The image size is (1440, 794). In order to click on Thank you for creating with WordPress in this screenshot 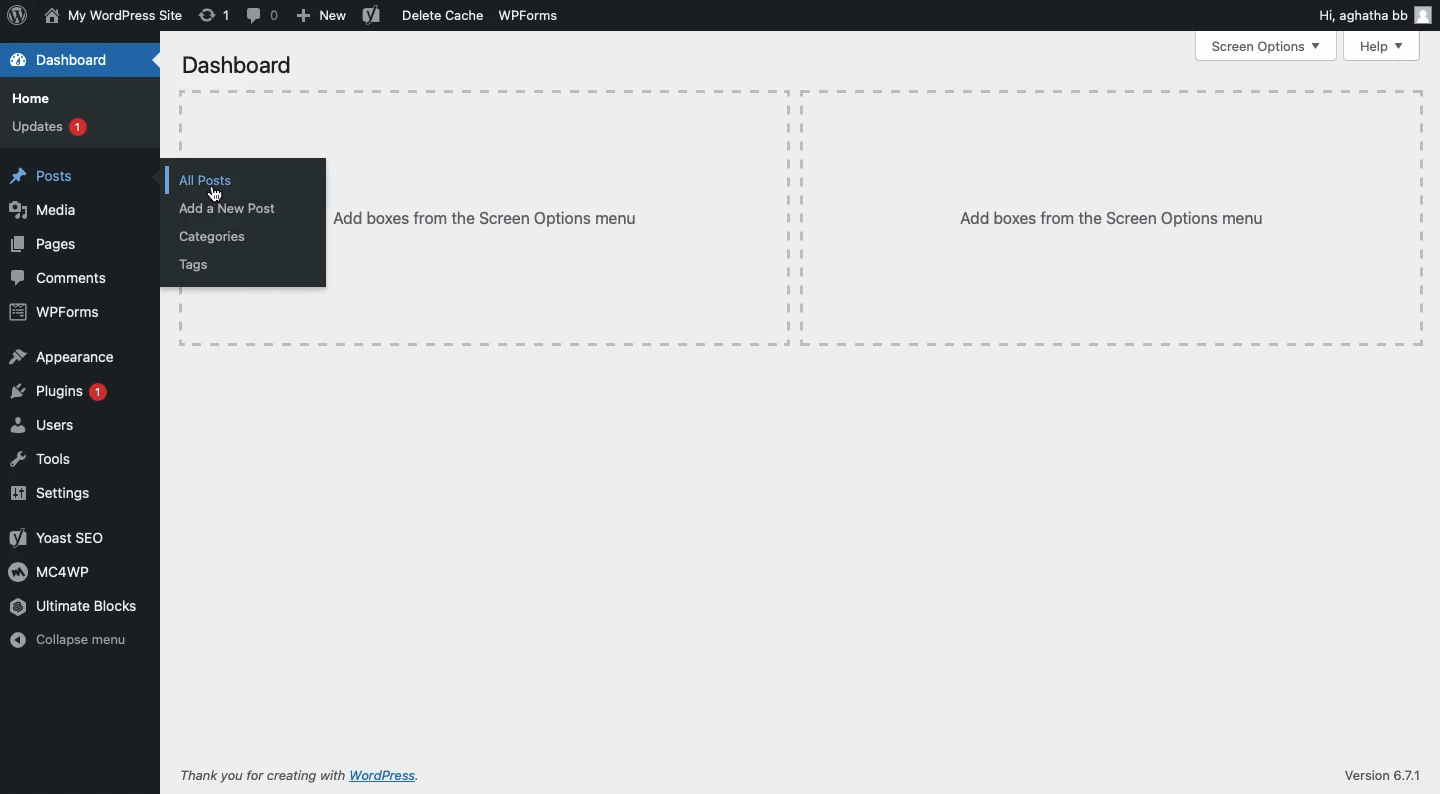, I will do `click(313, 776)`.